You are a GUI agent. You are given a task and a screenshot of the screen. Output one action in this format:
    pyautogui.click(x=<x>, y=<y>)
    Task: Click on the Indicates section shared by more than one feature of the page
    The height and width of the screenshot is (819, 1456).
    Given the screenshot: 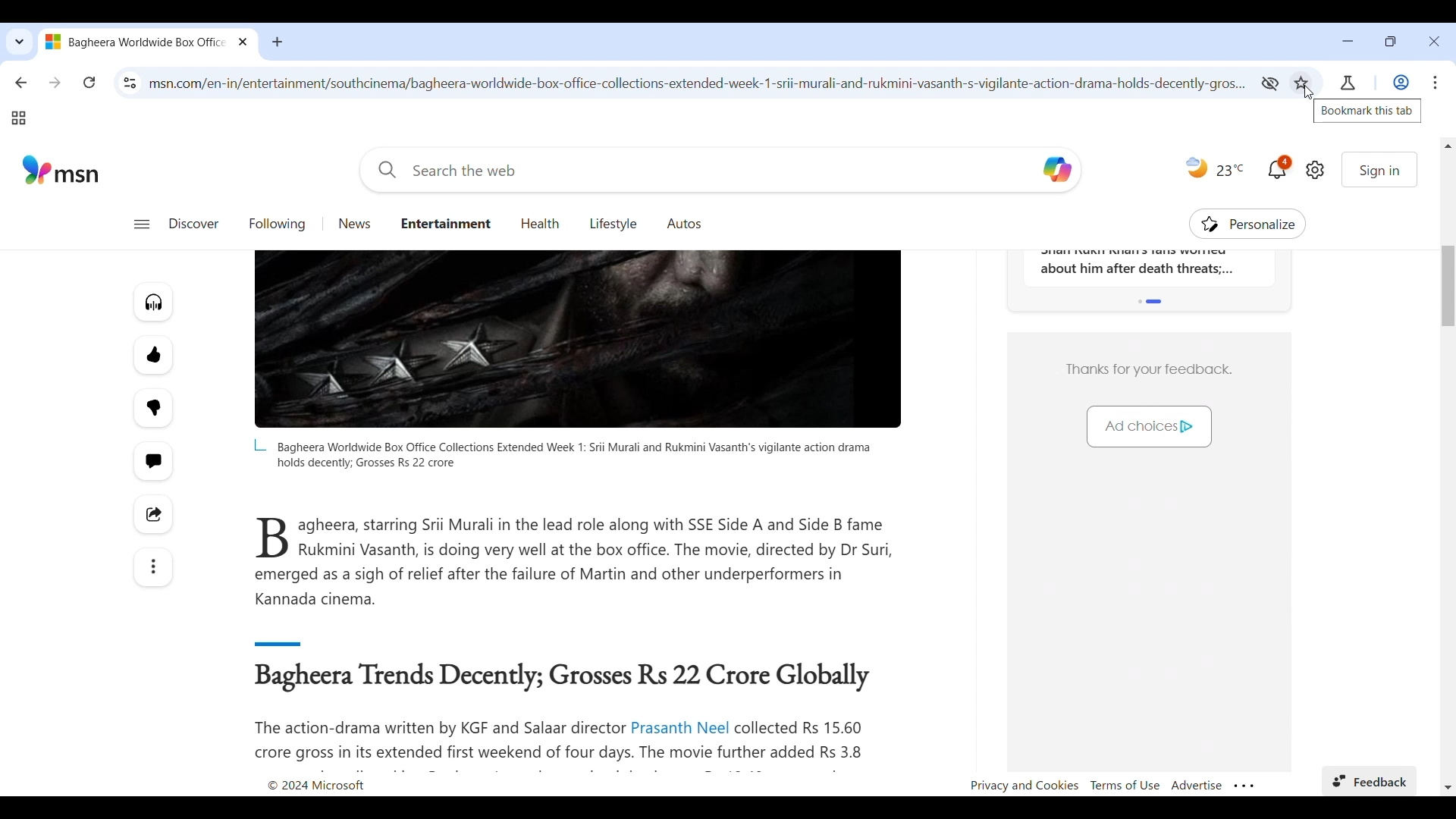 What is the action you would take?
    pyautogui.click(x=1151, y=301)
    